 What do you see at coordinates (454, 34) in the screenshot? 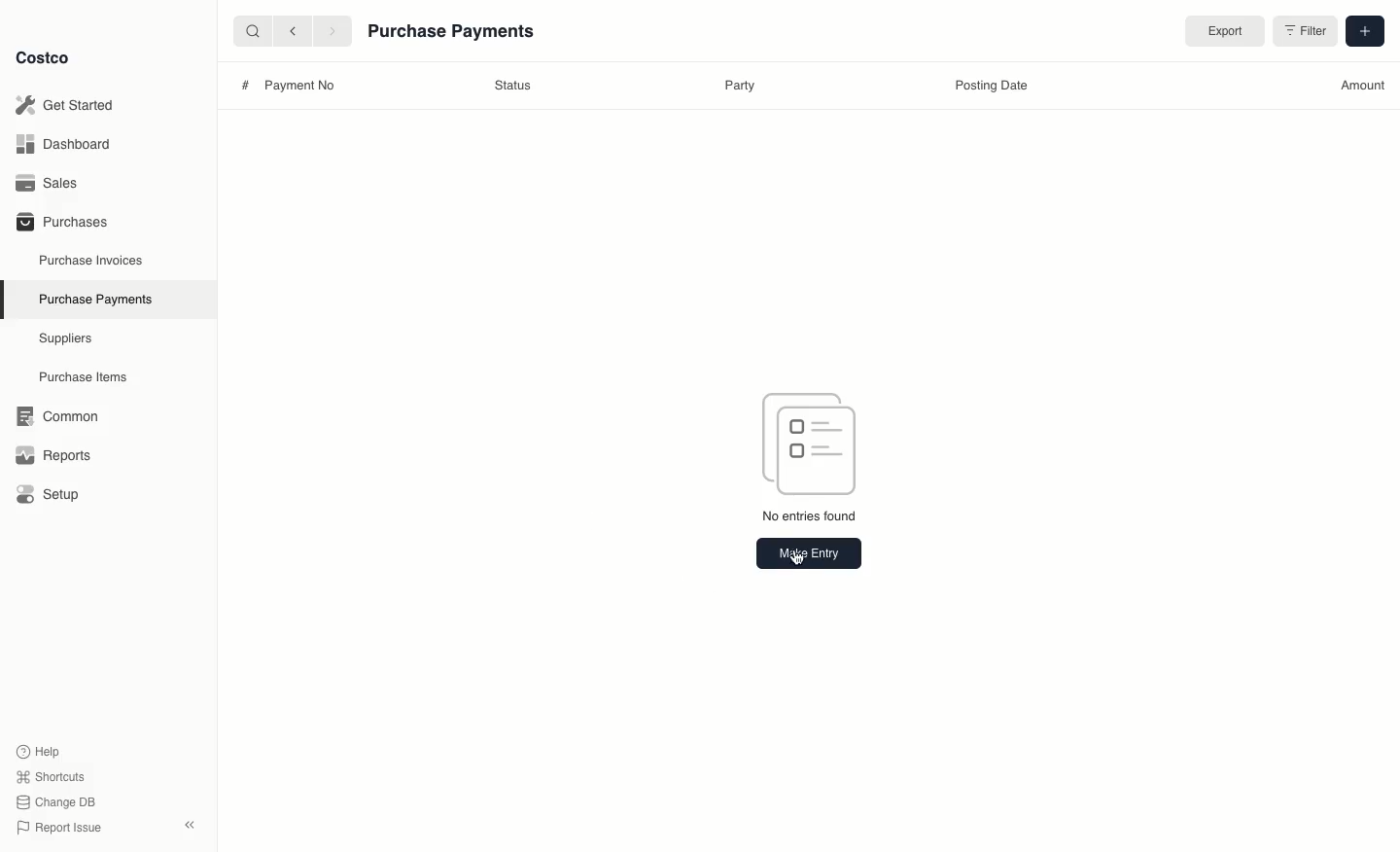
I see `Purchase Payments` at bounding box center [454, 34].